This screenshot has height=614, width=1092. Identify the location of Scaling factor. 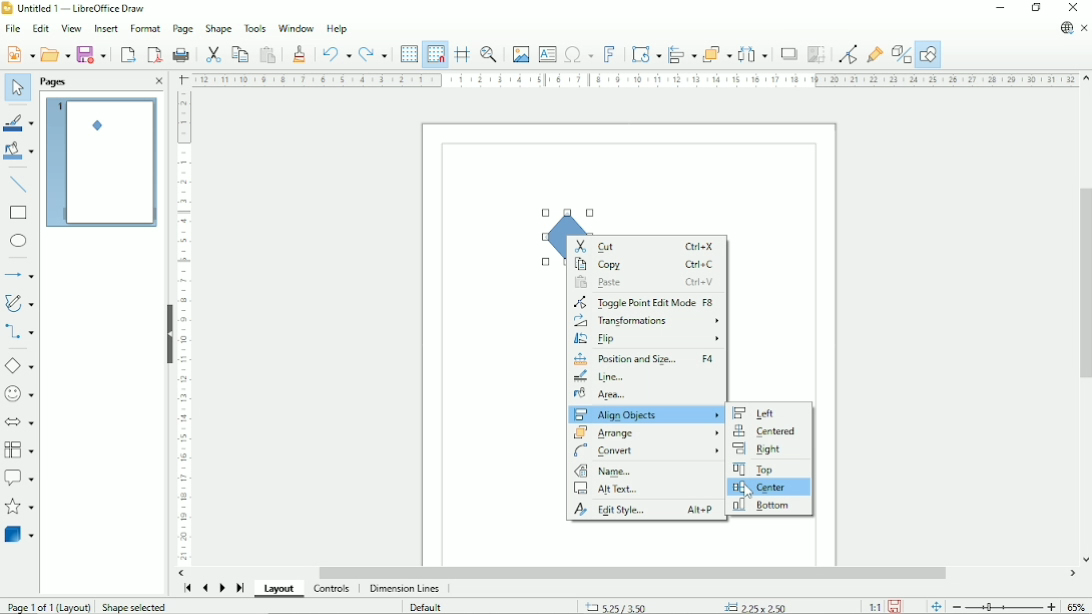
(874, 606).